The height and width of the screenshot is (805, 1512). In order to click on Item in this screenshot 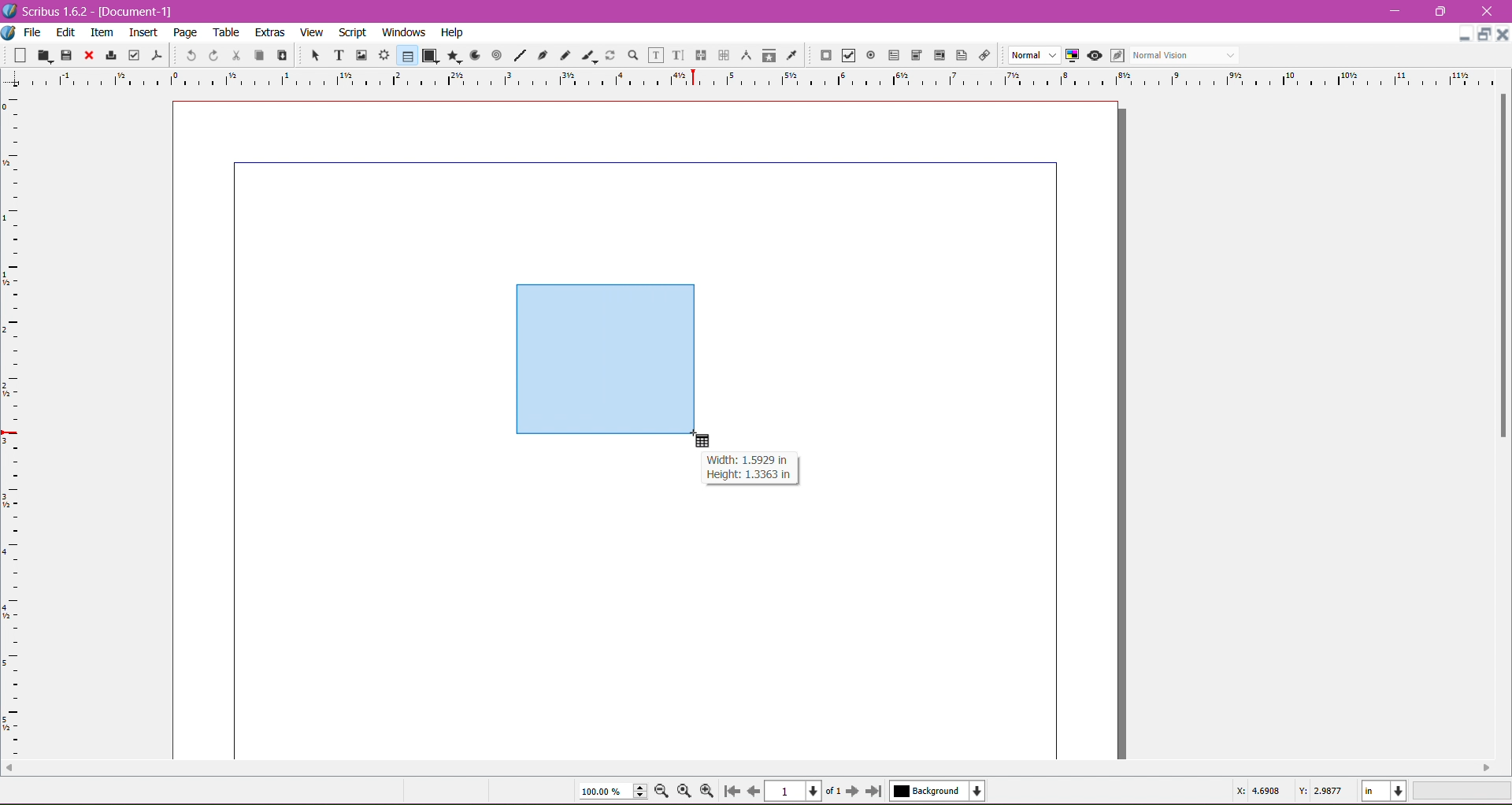, I will do `click(102, 32)`.